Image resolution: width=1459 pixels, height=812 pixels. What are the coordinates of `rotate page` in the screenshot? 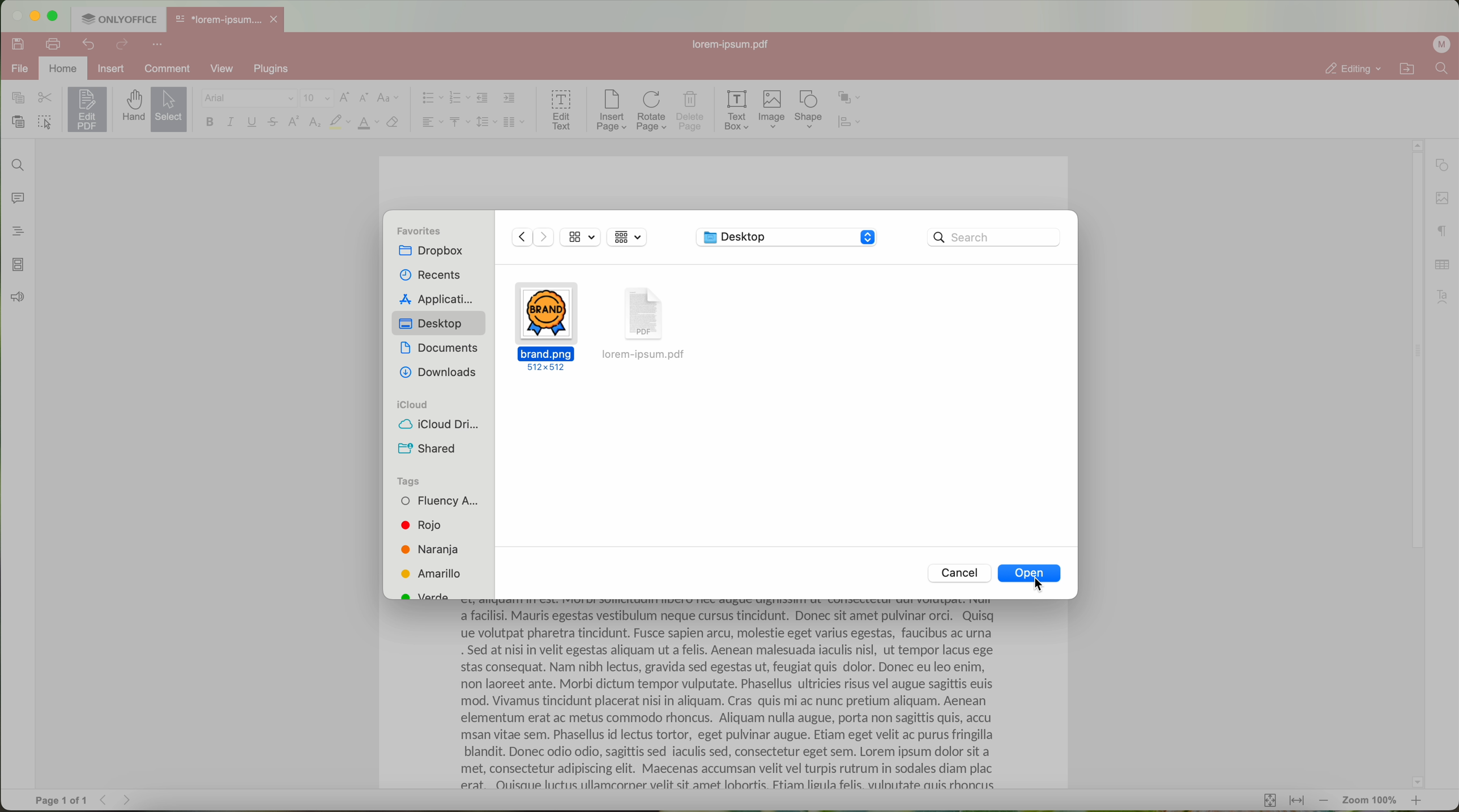 It's located at (652, 112).